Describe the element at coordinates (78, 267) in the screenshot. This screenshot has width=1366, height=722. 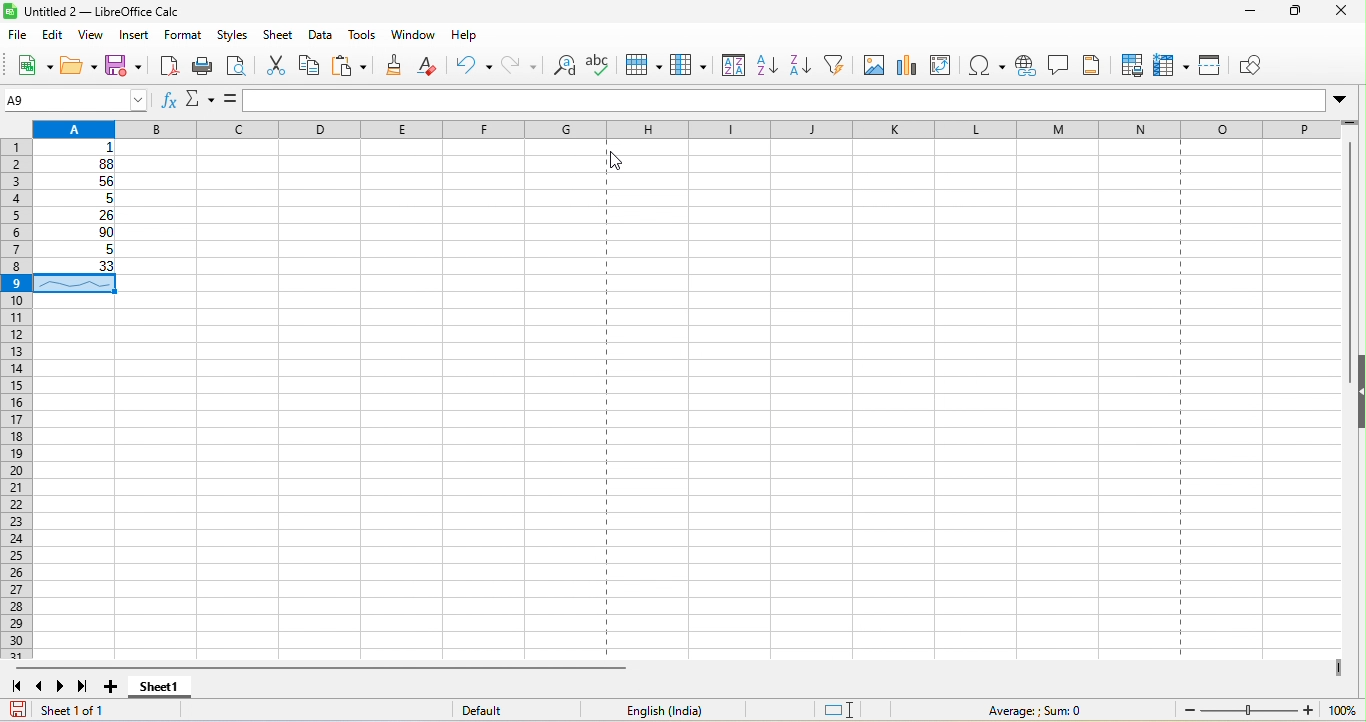
I see `33` at that location.